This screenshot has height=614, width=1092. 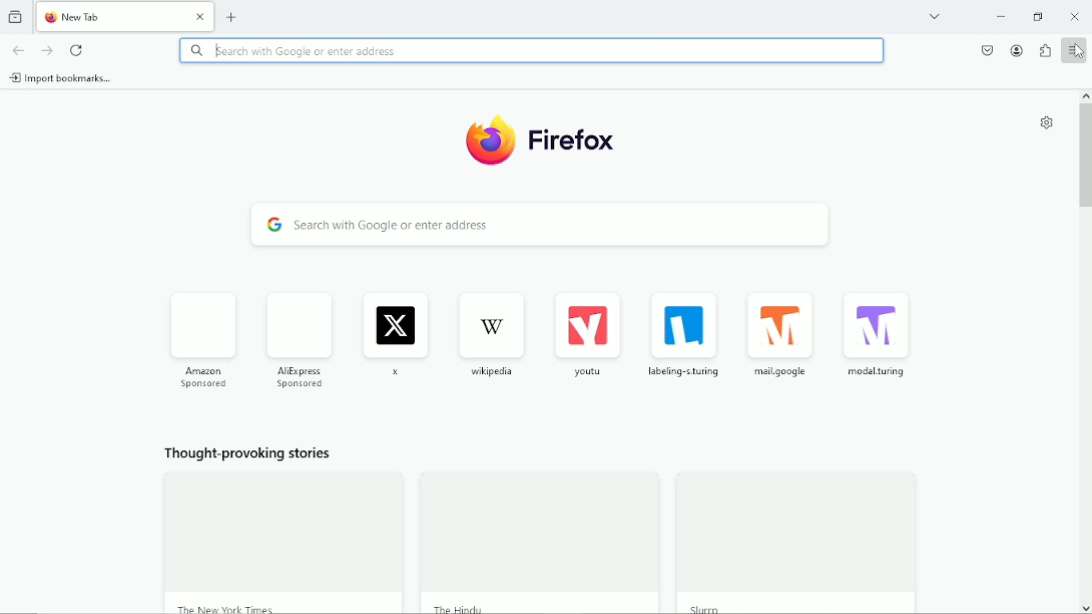 I want to click on Open application menu, so click(x=1076, y=51).